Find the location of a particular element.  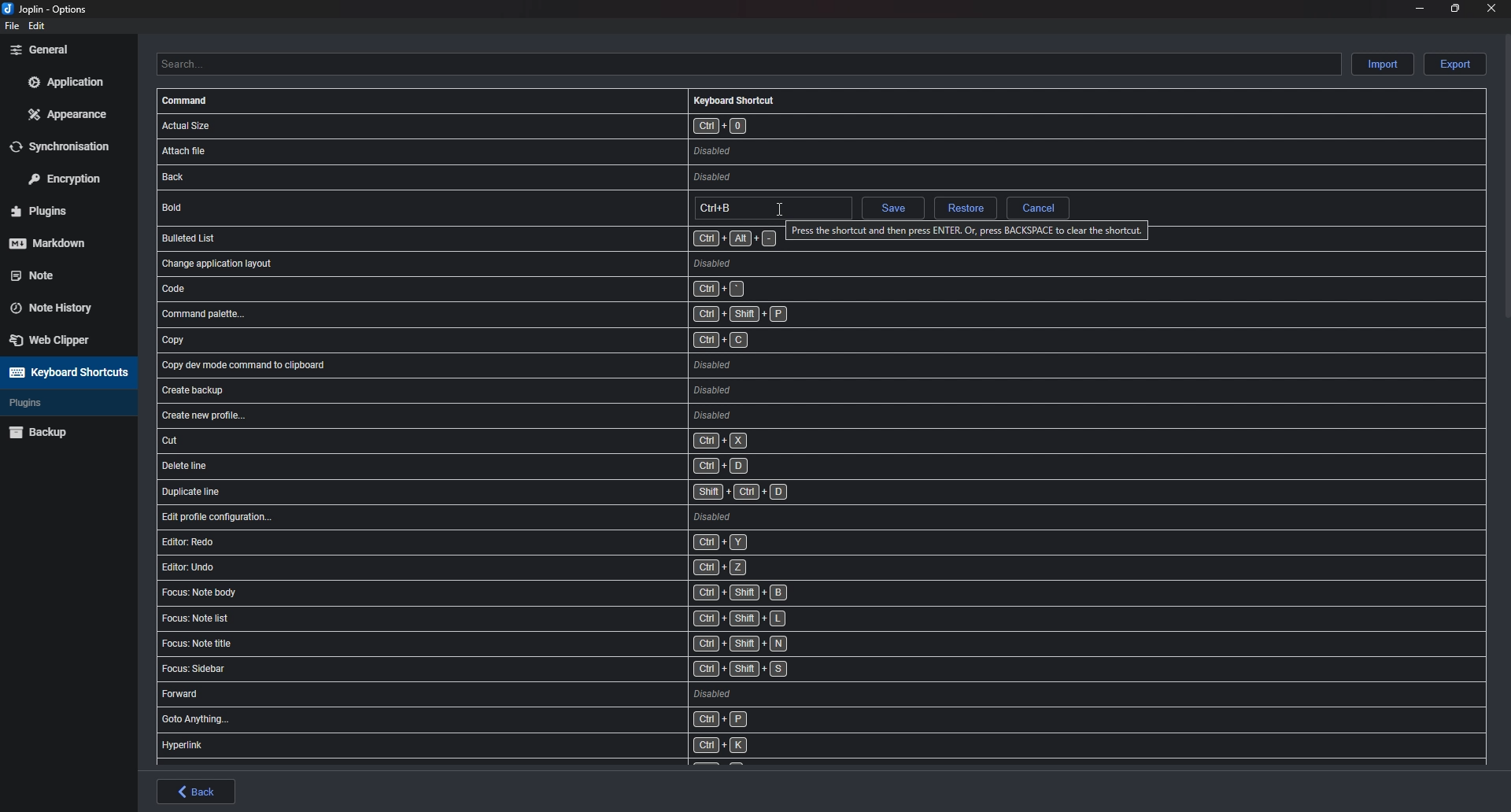

shortcut is located at coordinates (522, 592).